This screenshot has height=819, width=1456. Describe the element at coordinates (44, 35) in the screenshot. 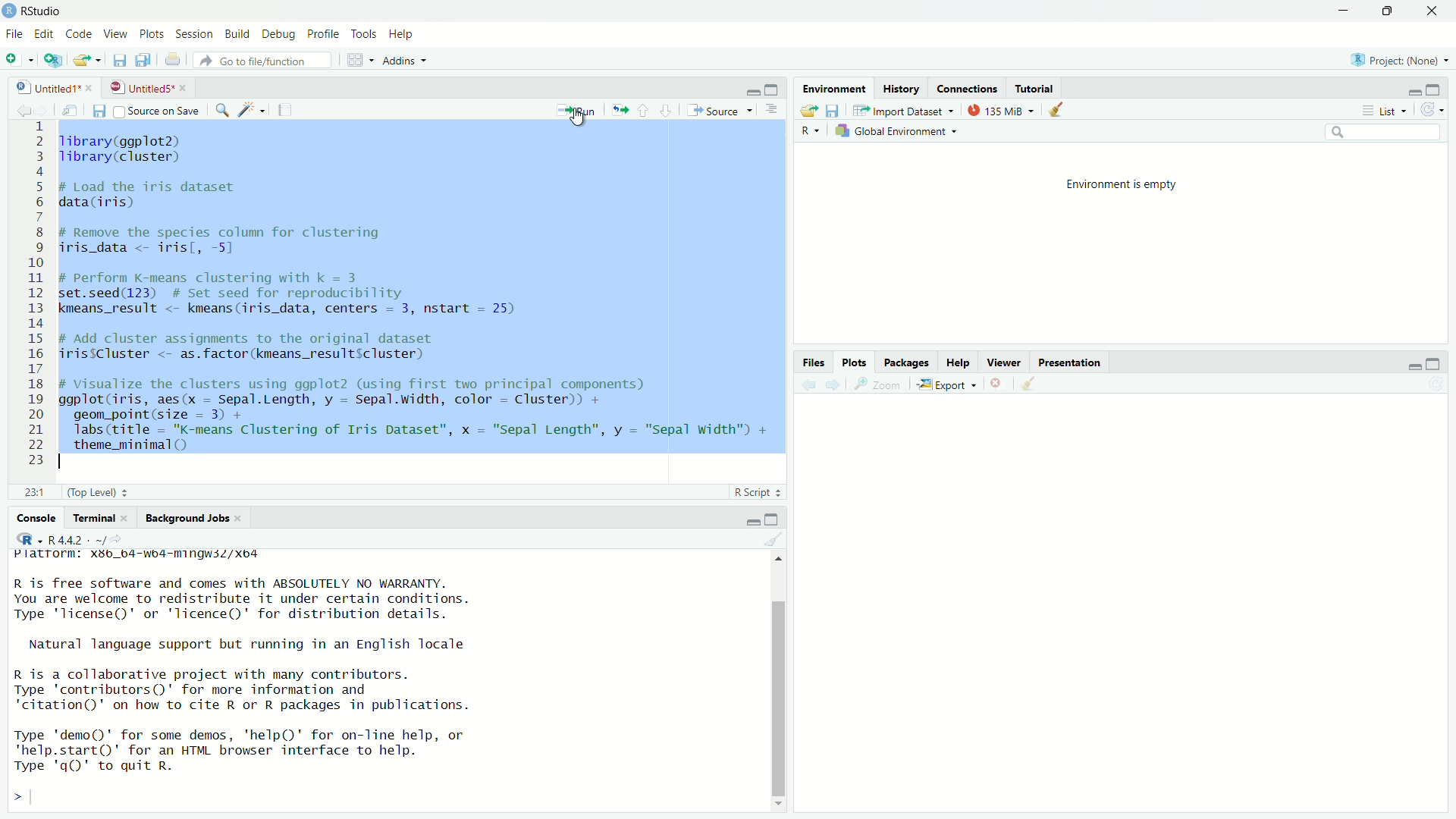

I see `edit` at that location.